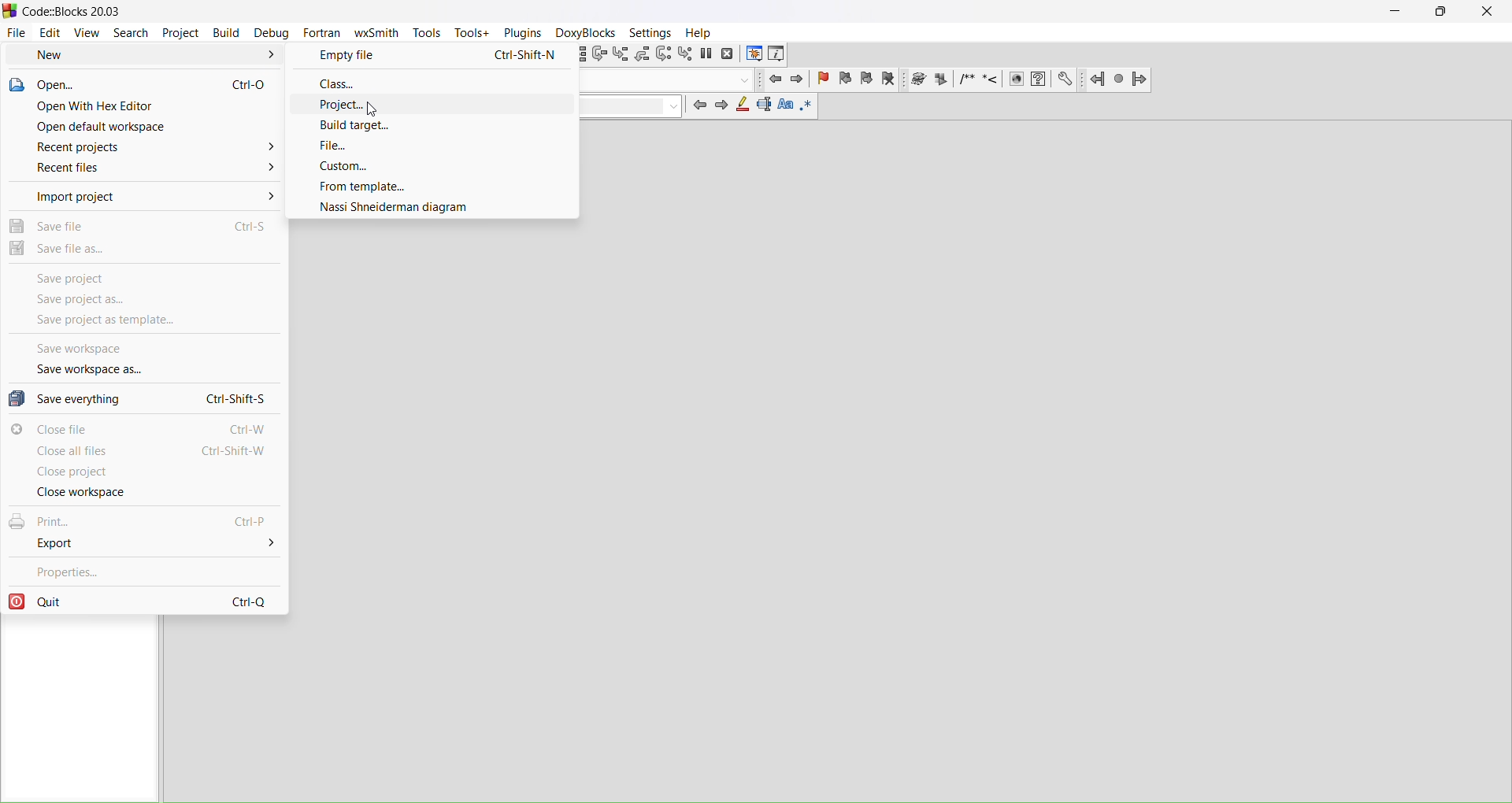 This screenshot has height=803, width=1512. Describe the element at coordinates (725, 108) in the screenshot. I see `next` at that location.